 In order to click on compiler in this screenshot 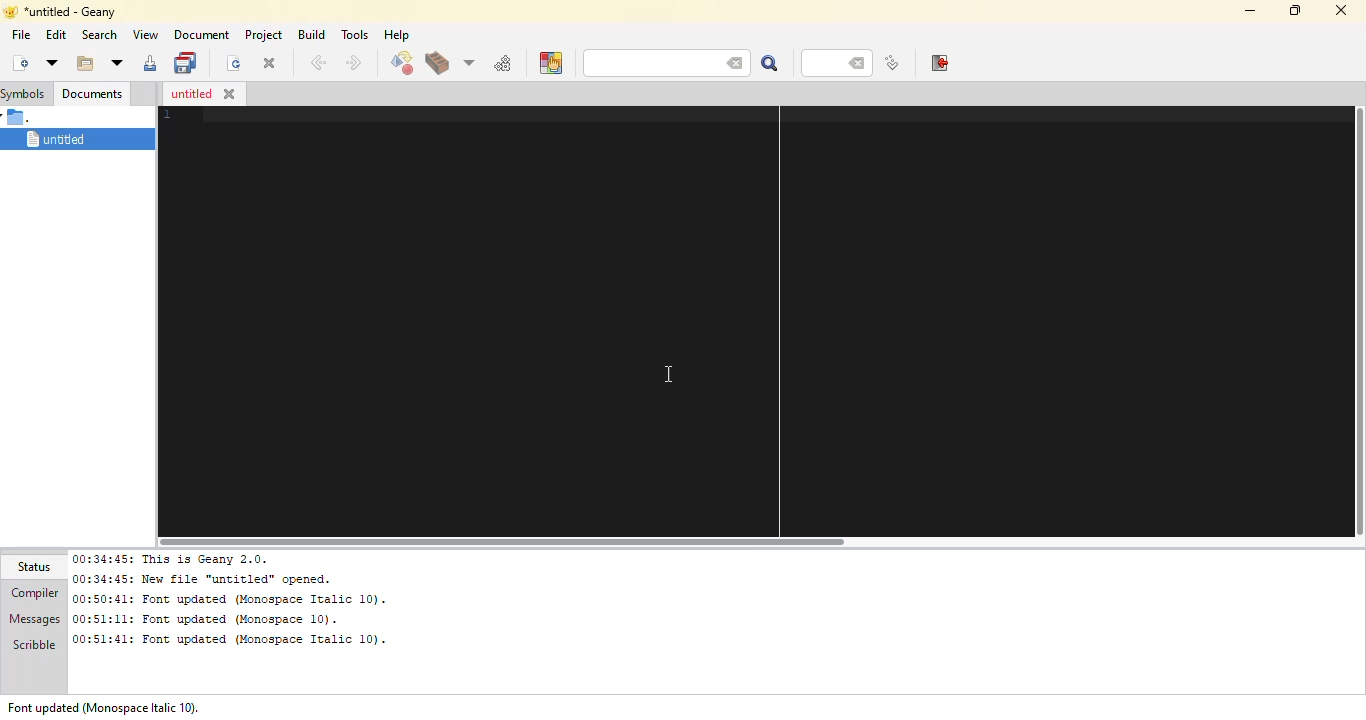, I will do `click(34, 593)`.